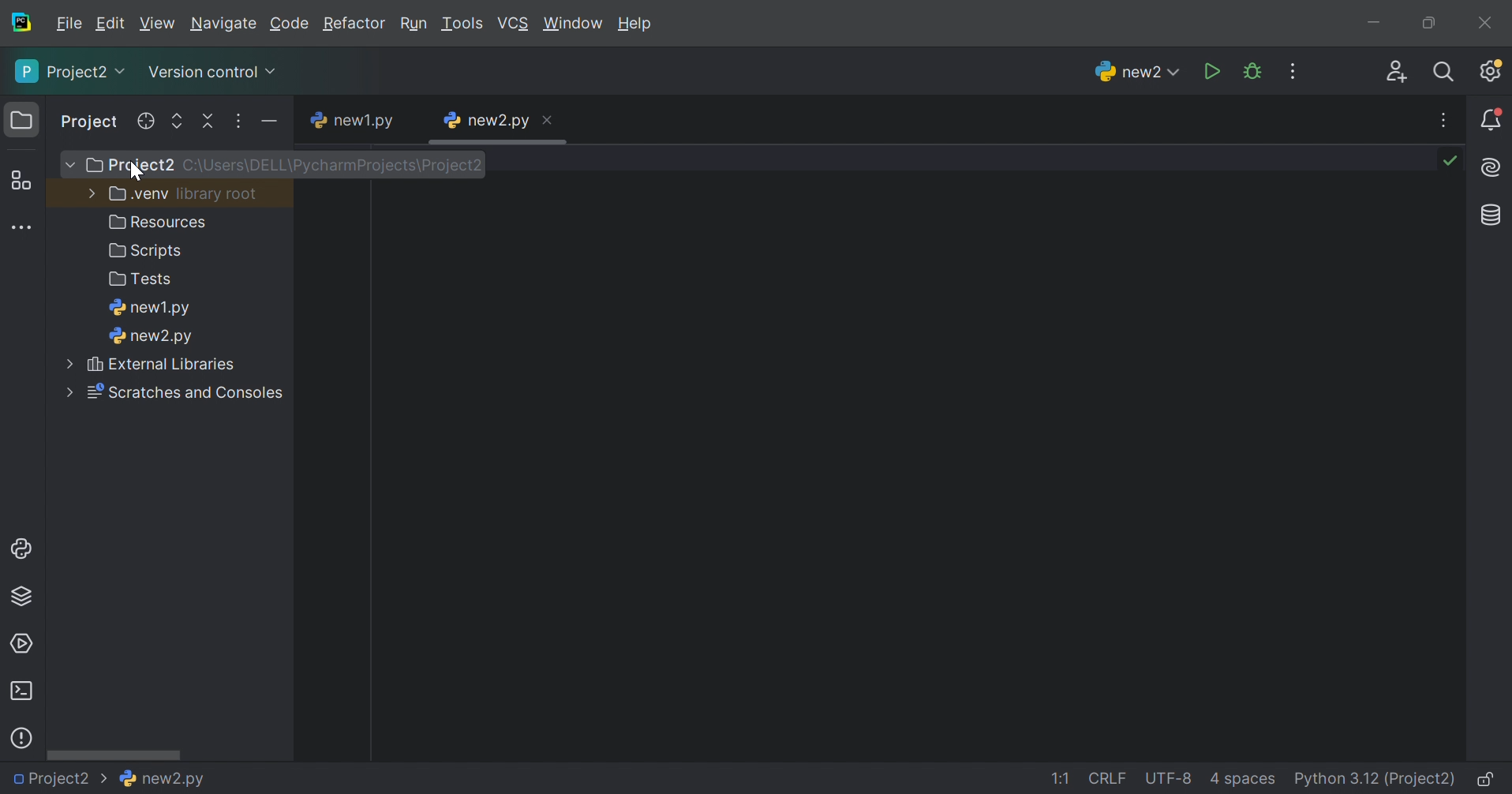 This screenshot has width=1512, height=794. Describe the element at coordinates (1492, 119) in the screenshot. I see `Notifications` at that location.